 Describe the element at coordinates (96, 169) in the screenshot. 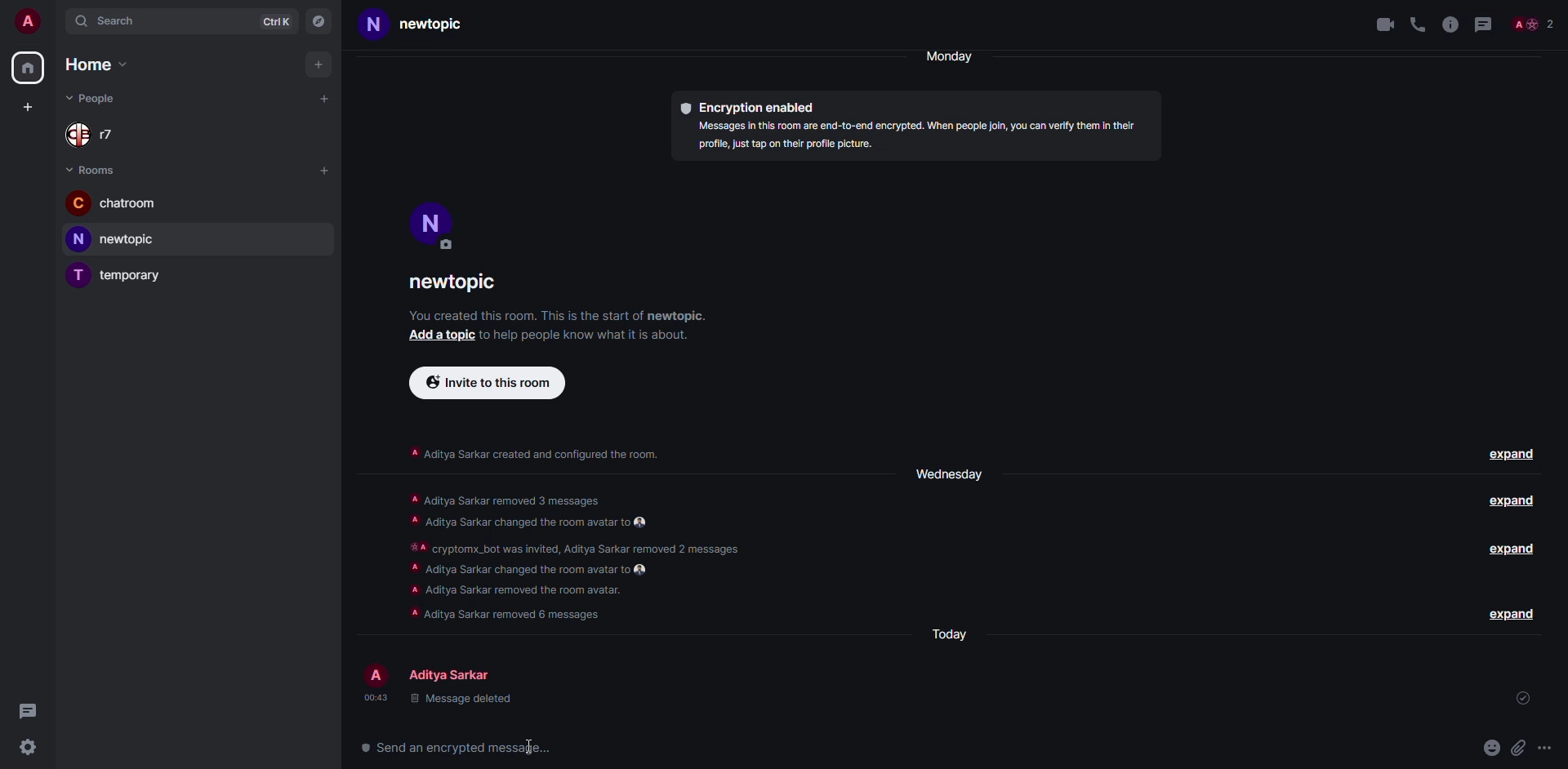

I see `rooms` at that location.